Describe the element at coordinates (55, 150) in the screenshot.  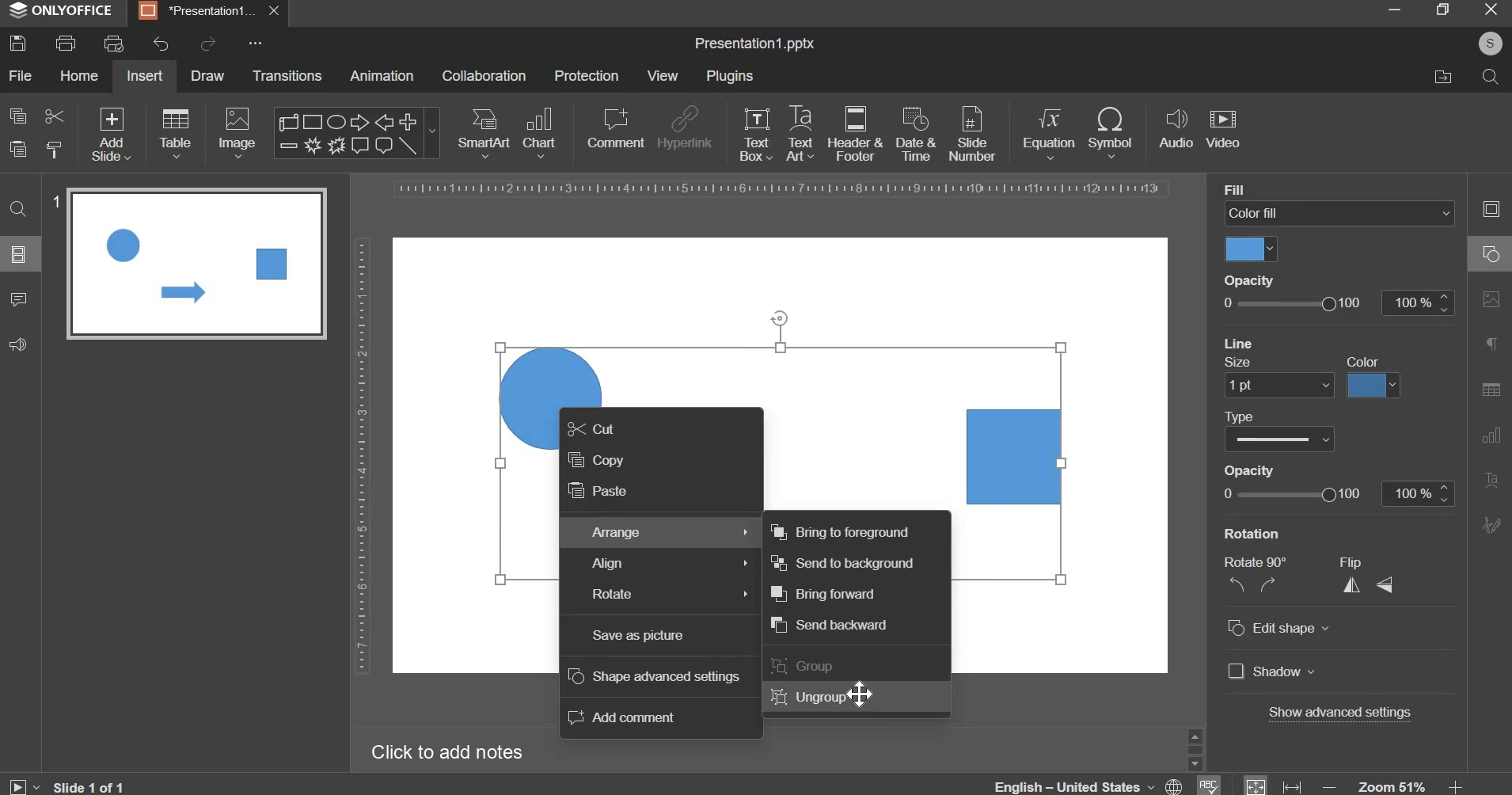
I see `copy style` at that location.